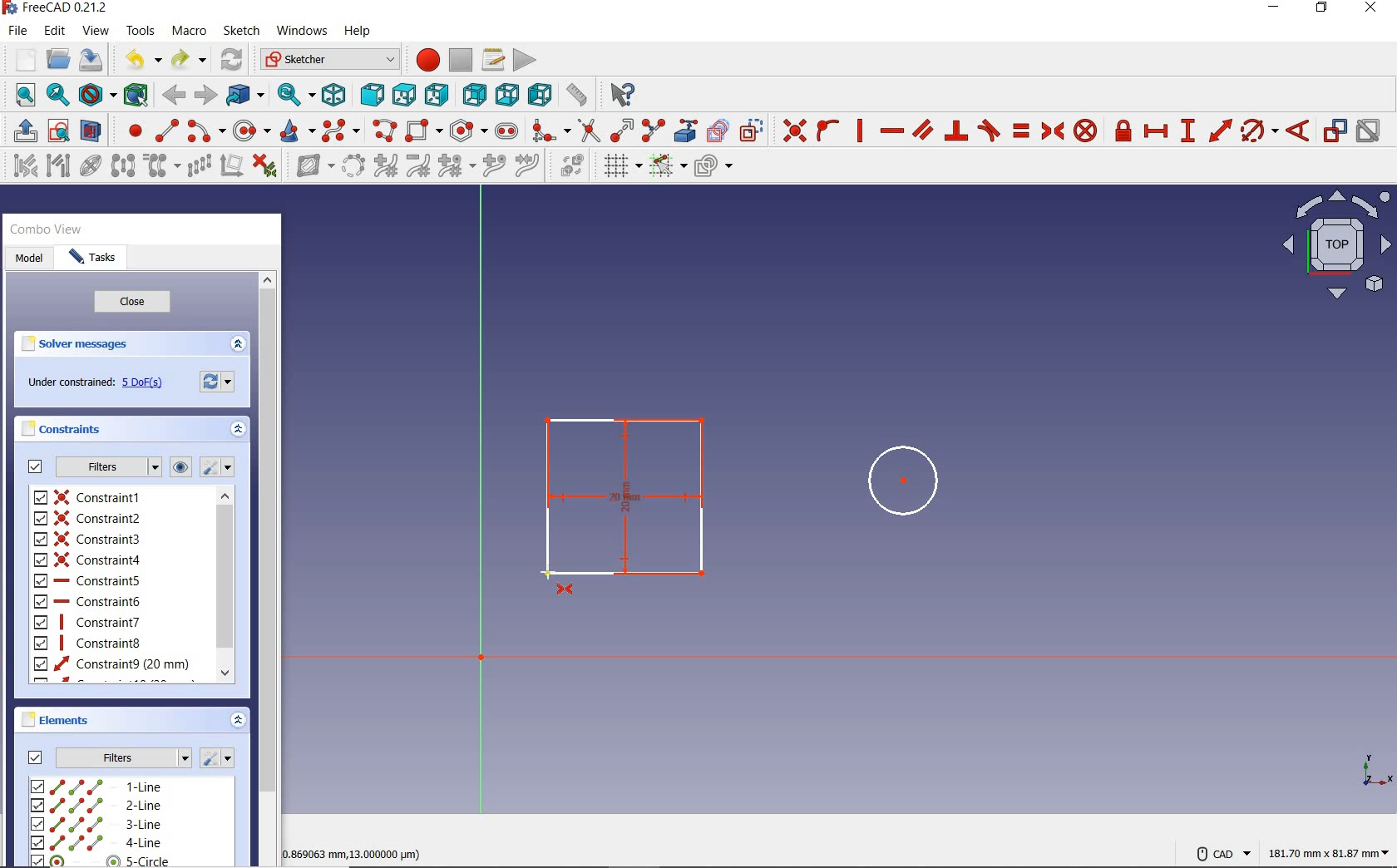 Image resolution: width=1397 pixels, height=868 pixels. What do you see at coordinates (437, 94) in the screenshot?
I see `right` at bounding box center [437, 94].